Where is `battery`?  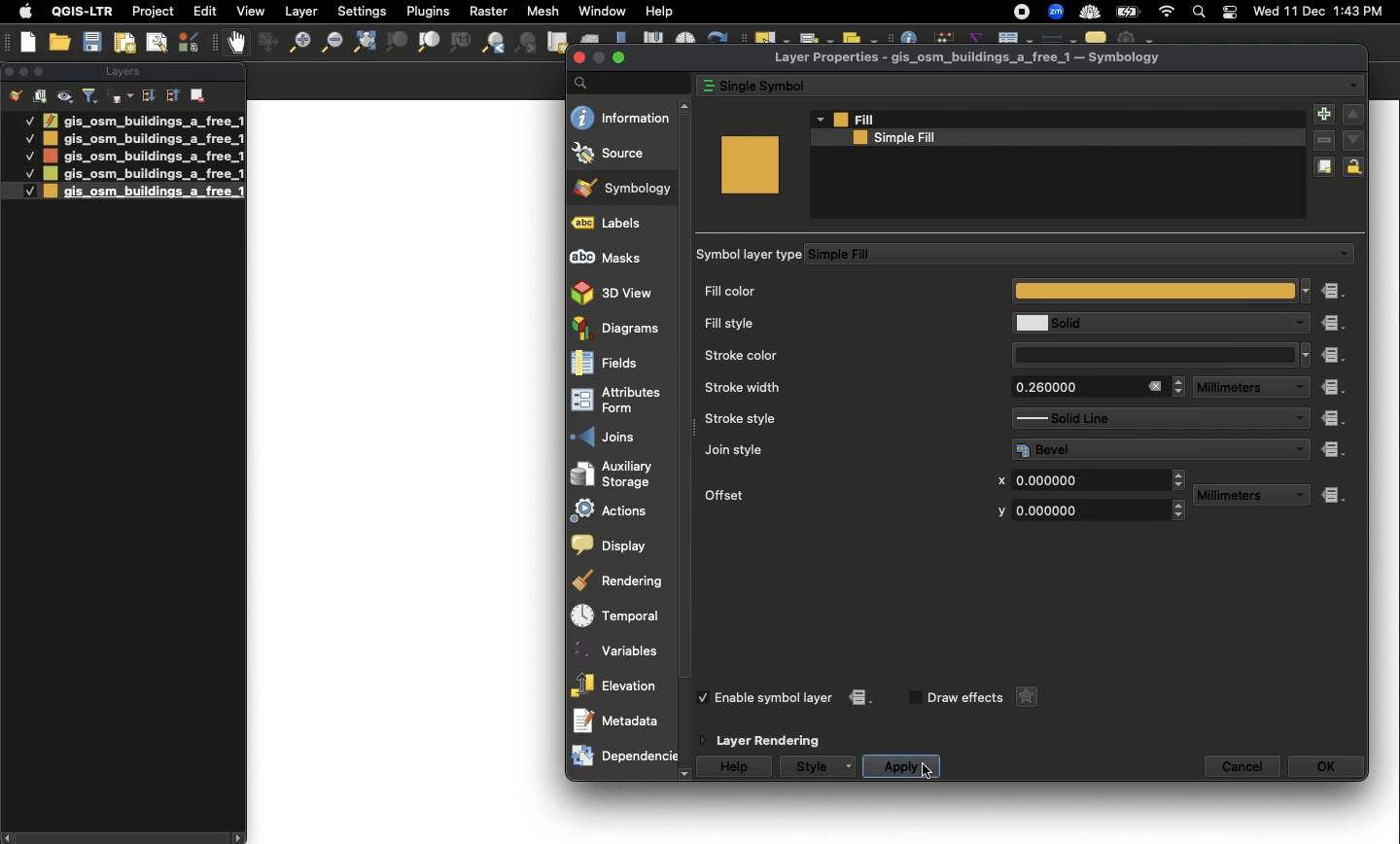 battery is located at coordinates (1132, 11).